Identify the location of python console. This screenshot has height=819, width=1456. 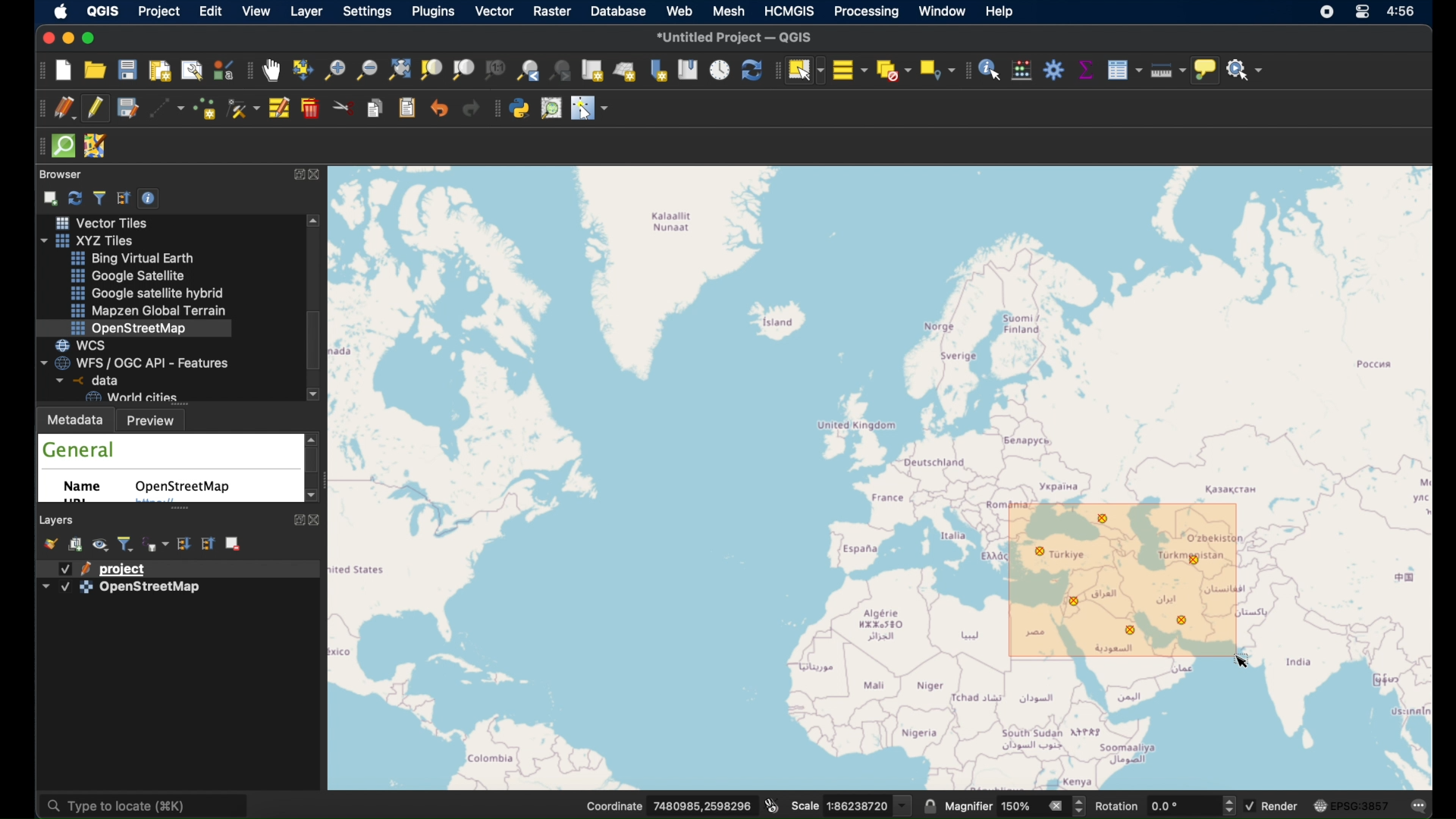
(521, 108).